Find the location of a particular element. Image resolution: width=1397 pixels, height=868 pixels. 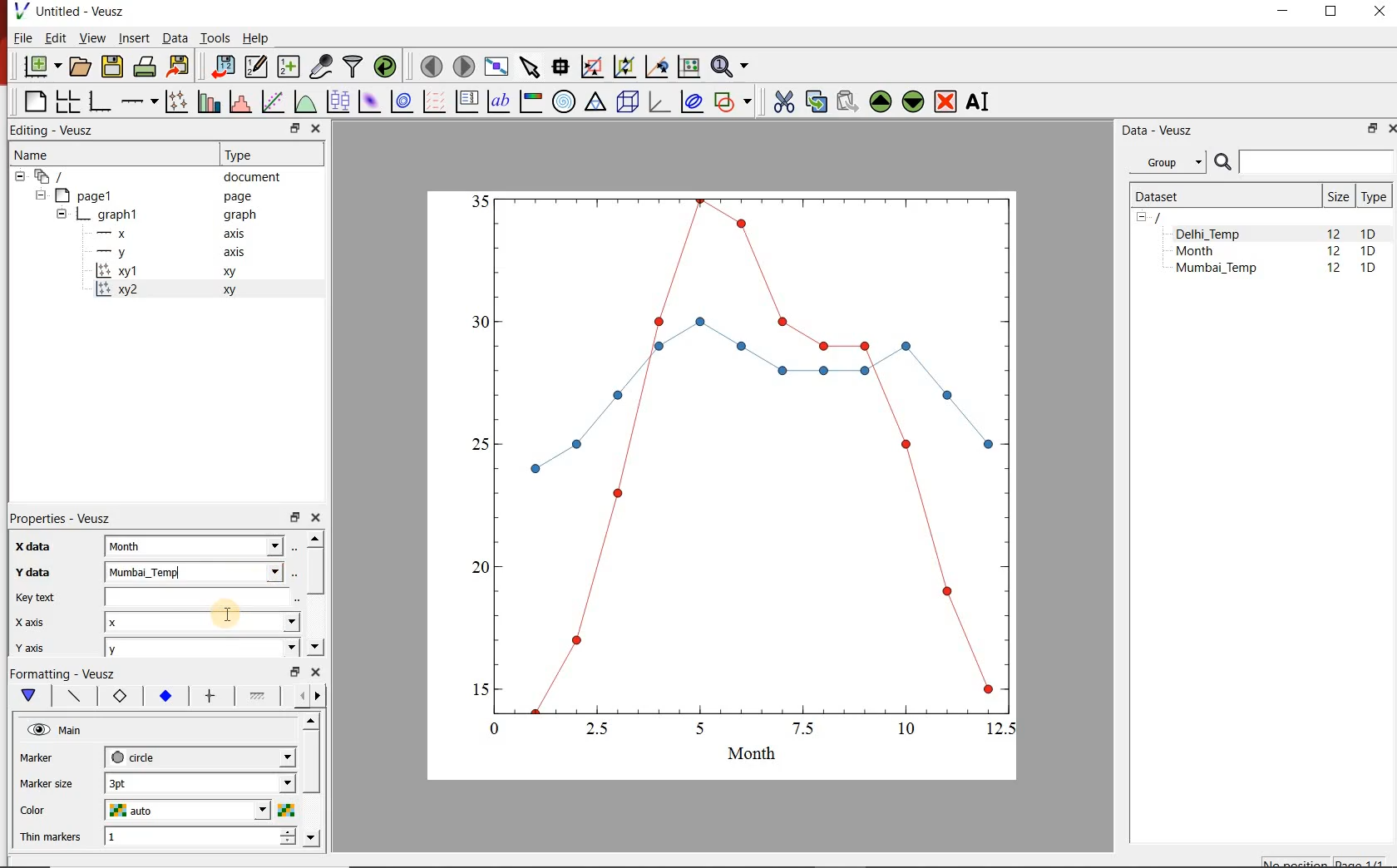

plot a vector field is located at coordinates (433, 102).